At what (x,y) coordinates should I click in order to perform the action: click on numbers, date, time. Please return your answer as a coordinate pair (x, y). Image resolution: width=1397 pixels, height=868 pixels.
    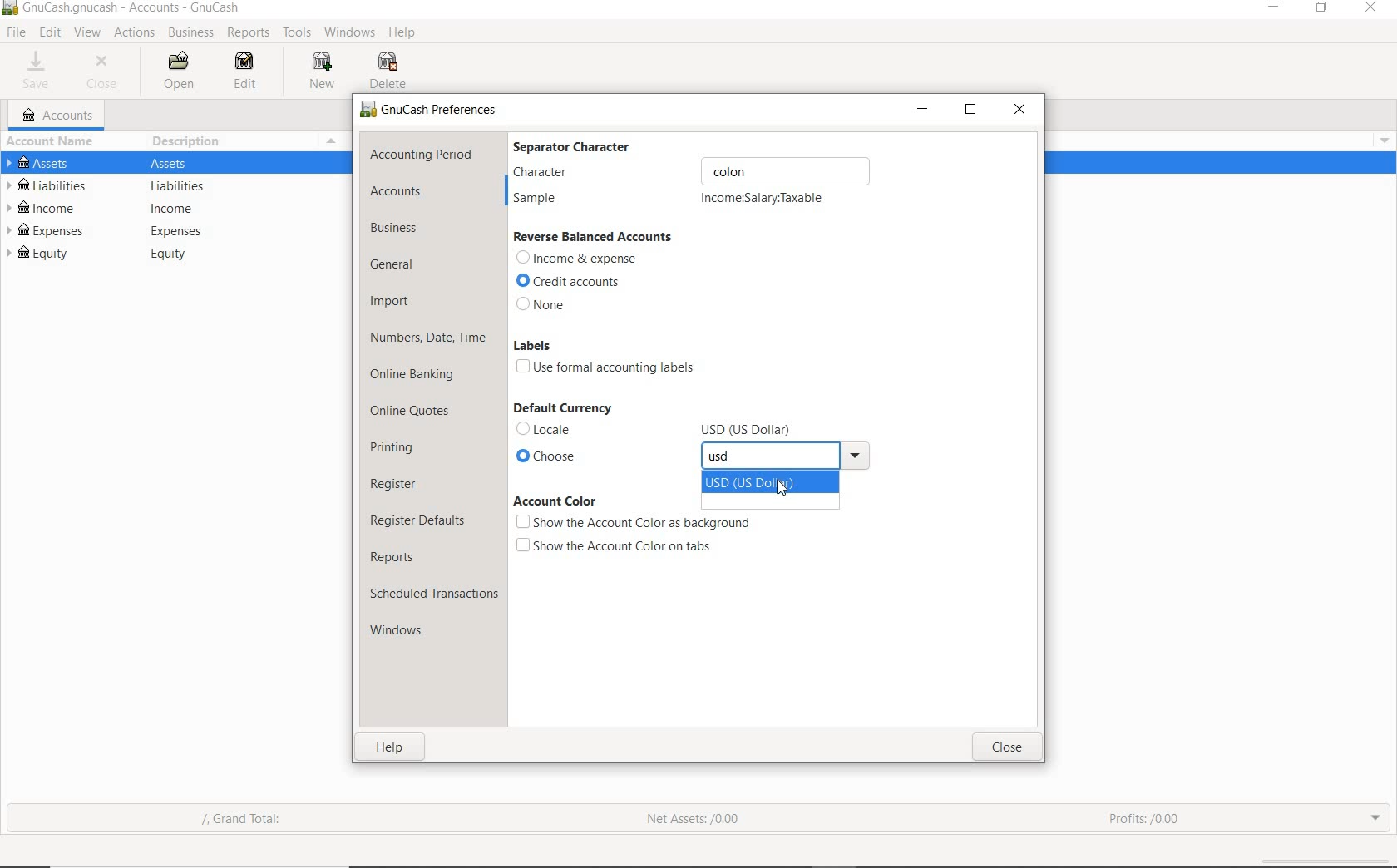
    Looking at the image, I should click on (428, 339).